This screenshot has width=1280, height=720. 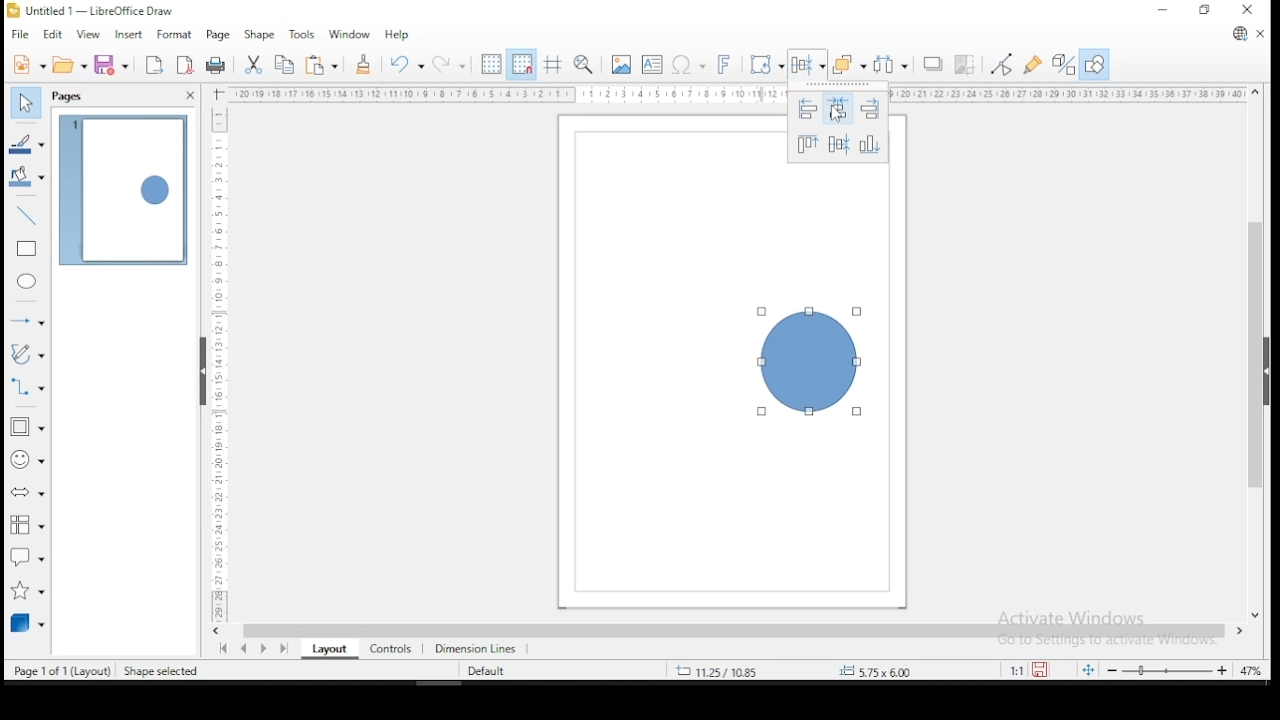 What do you see at coordinates (111, 64) in the screenshot?
I see `save` at bounding box center [111, 64].